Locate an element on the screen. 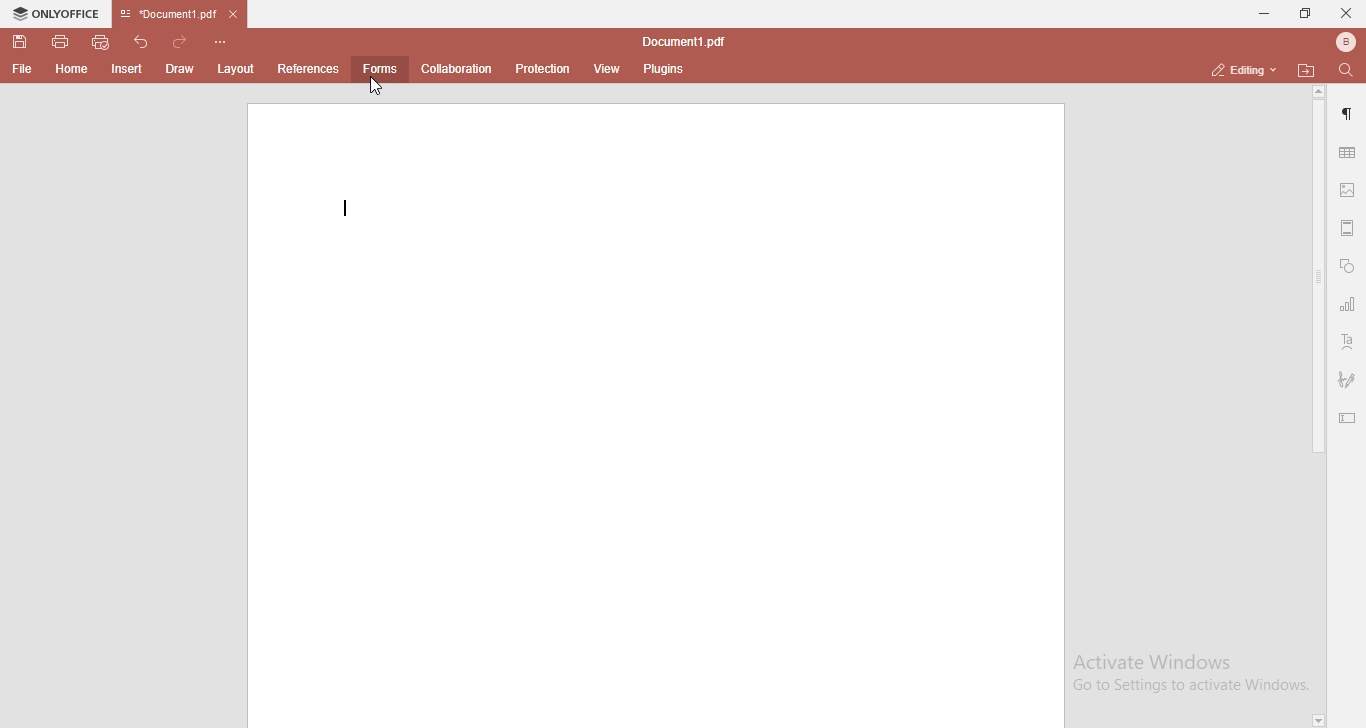 The width and height of the screenshot is (1366, 728). close is located at coordinates (1346, 12).